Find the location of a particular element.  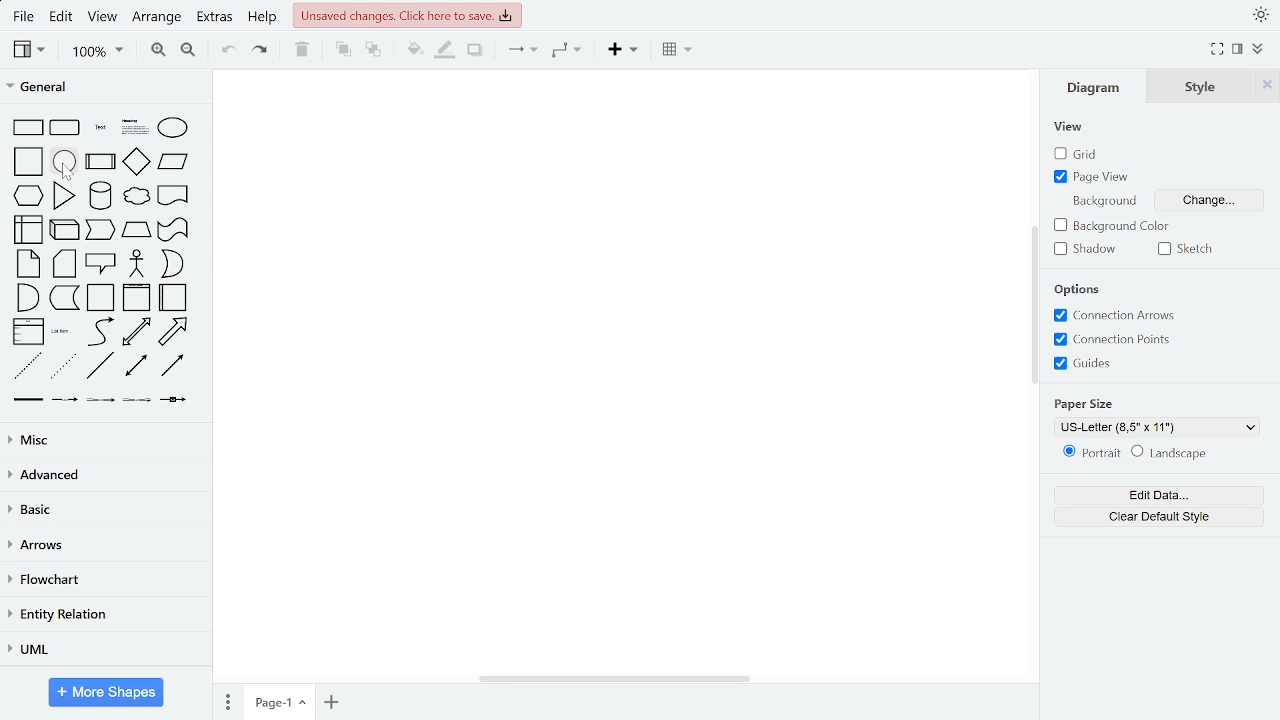

file is located at coordinates (24, 19).